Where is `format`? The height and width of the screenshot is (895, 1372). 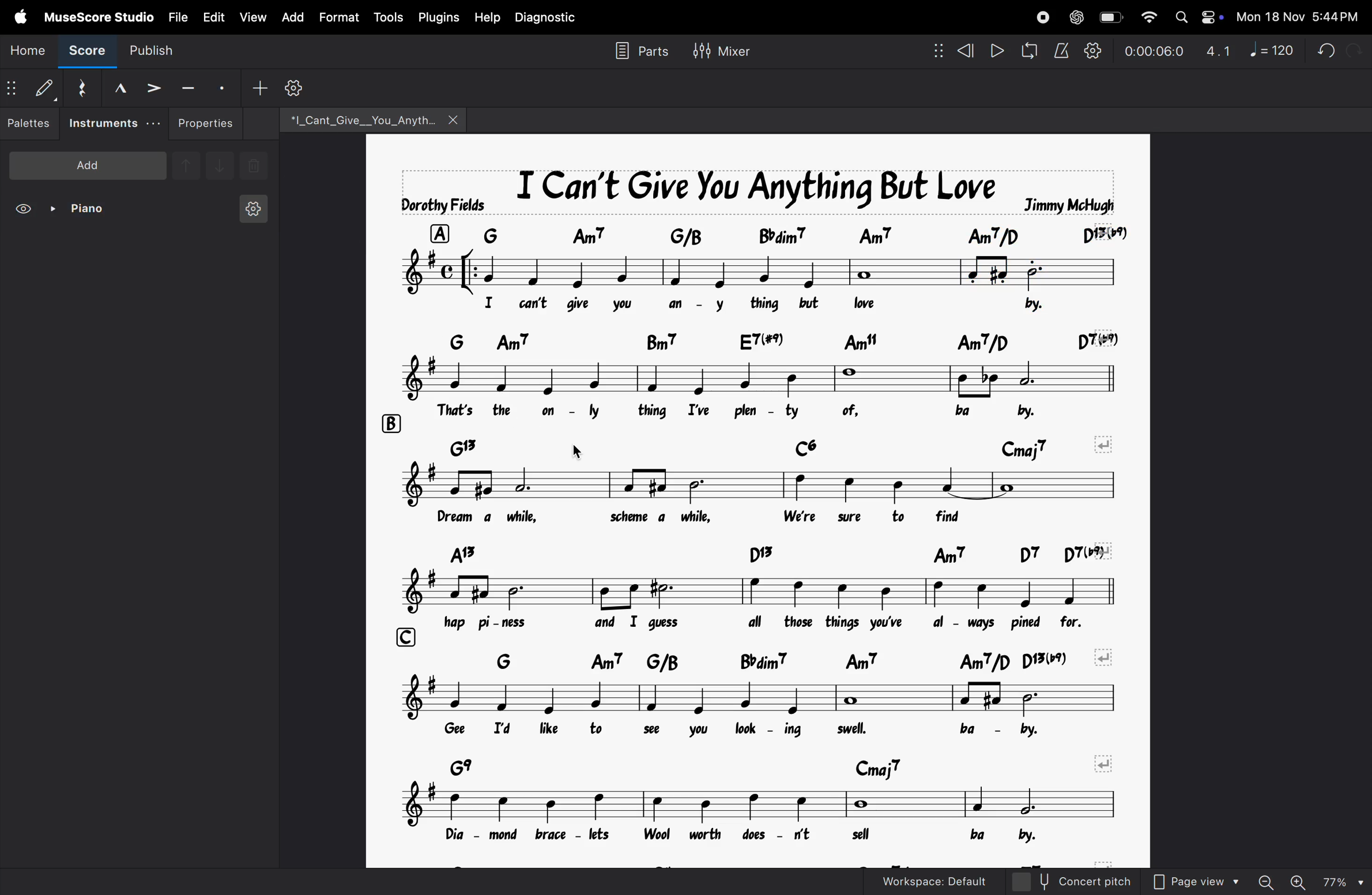
format is located at coordinates (341, 17).